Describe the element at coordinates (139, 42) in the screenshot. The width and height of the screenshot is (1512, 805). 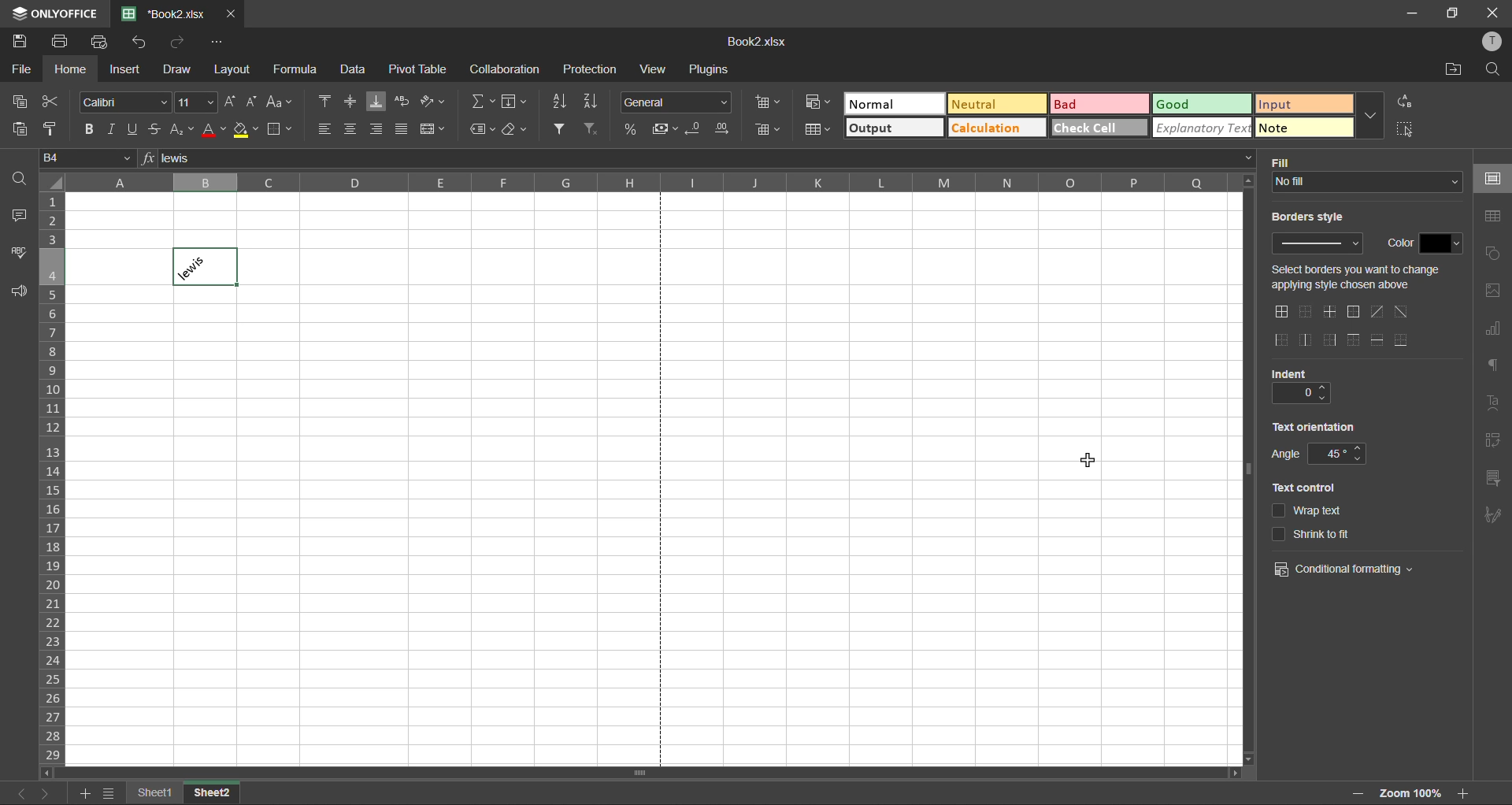
I see `undo` at that location.